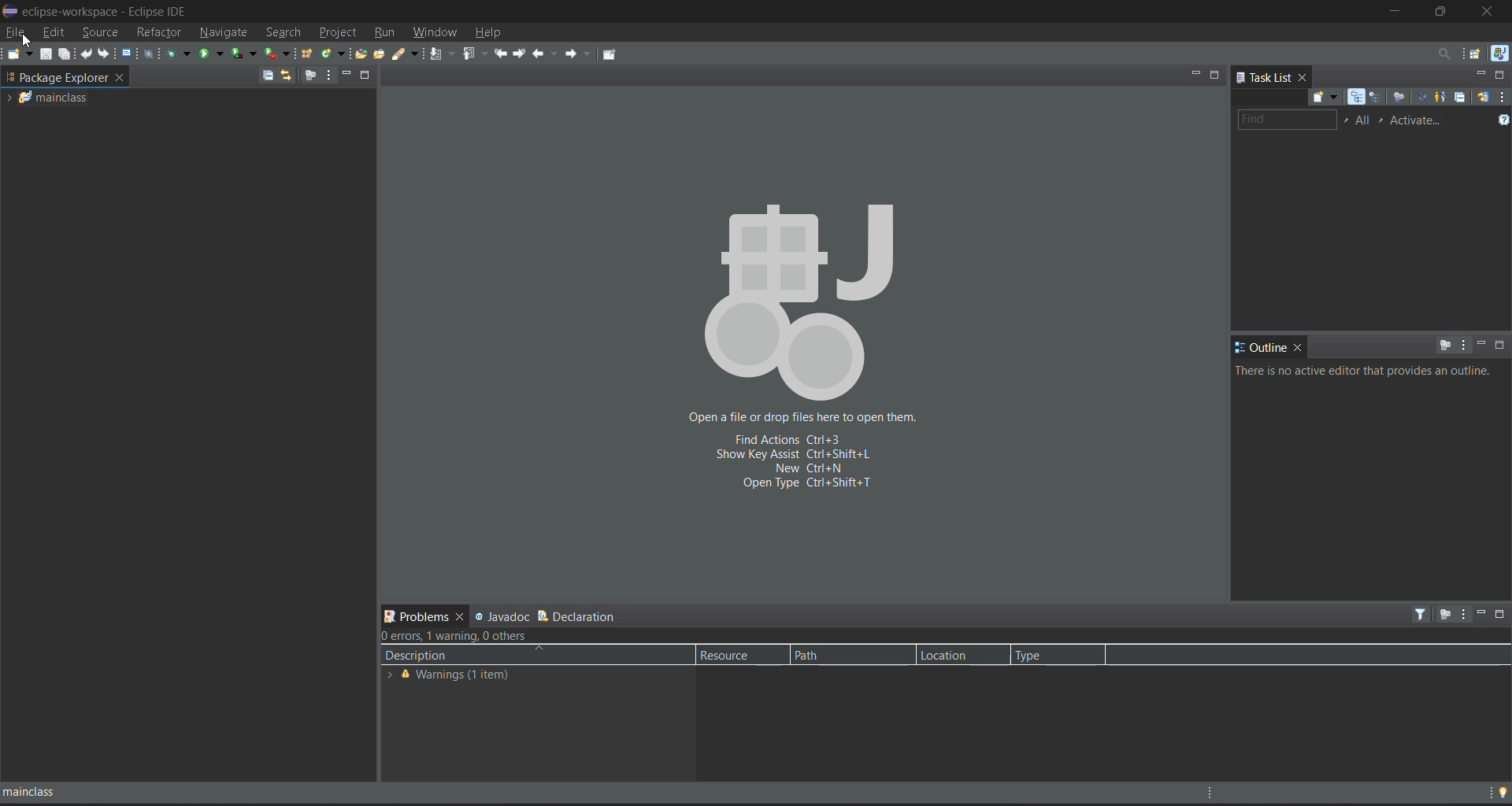 The image size is (1512, 806). I want to click on focus on active task, so click(1443, 615).